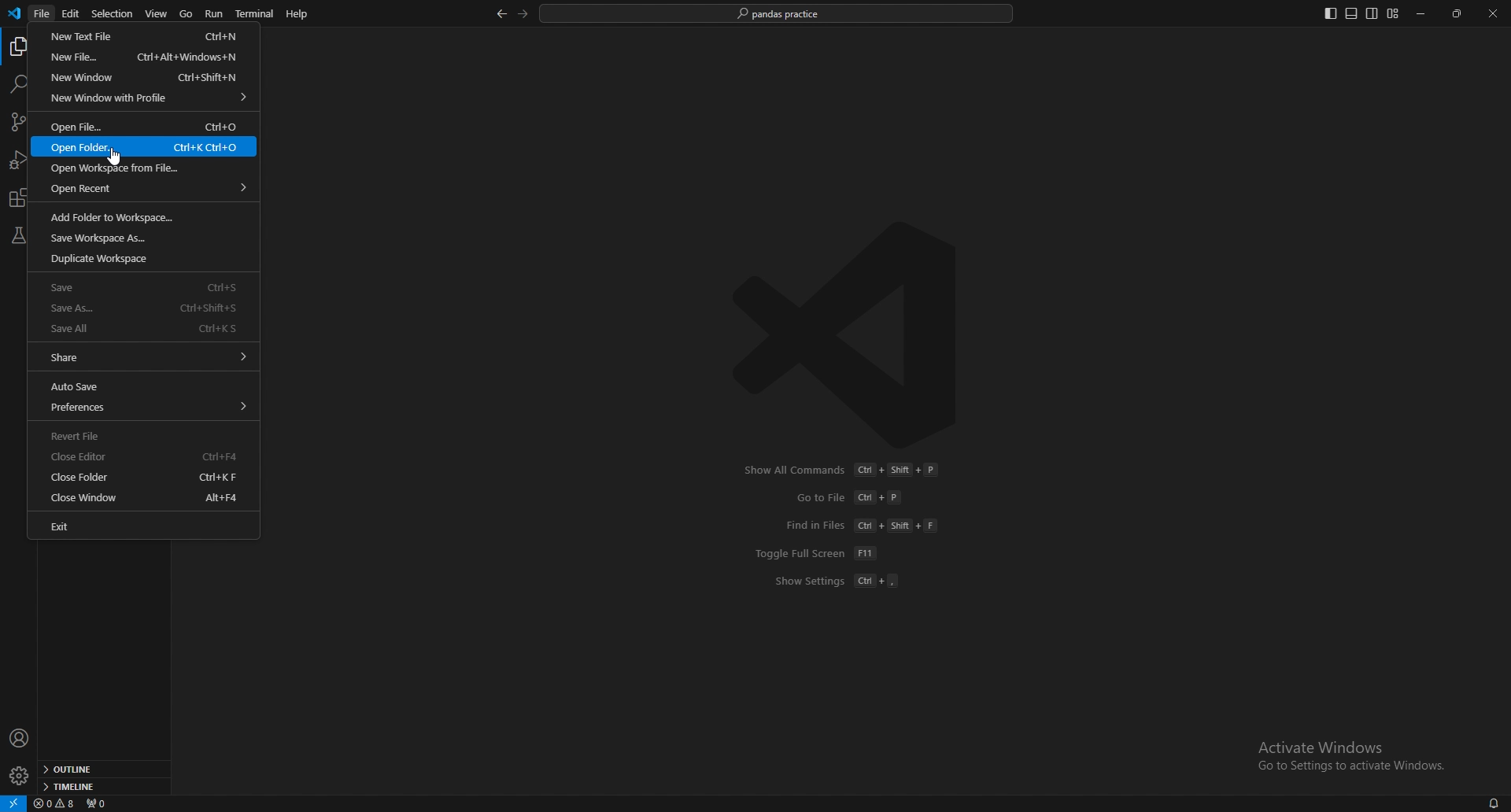 The width and height of the screenshot is (1511, 812). What do you see at coordinates (296, 14) in the screenshot?
I see `Help` at bounding box center [296, 14].